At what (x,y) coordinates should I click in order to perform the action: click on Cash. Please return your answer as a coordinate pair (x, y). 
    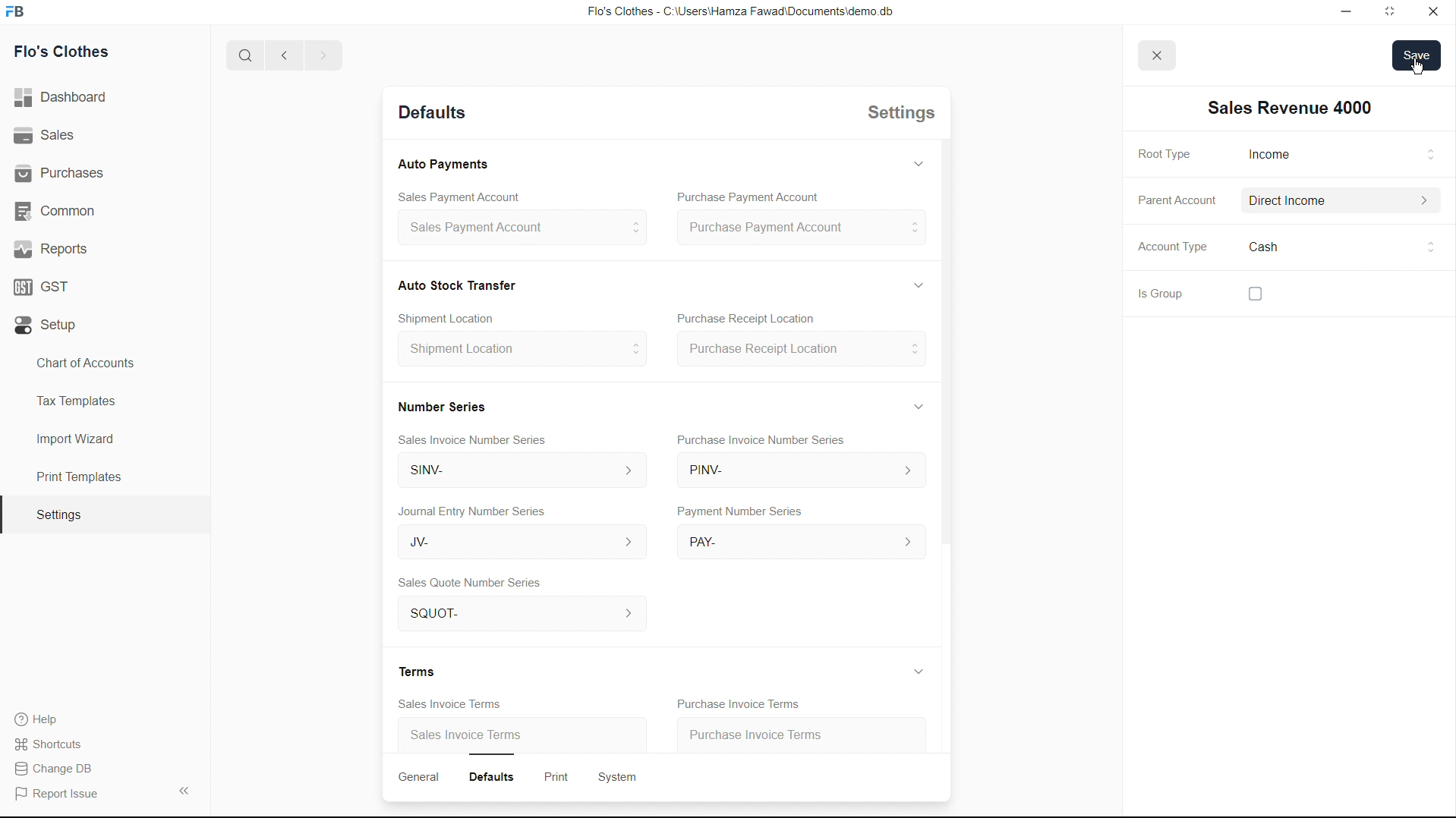
    Looking at the image, I should click on (458, 284).